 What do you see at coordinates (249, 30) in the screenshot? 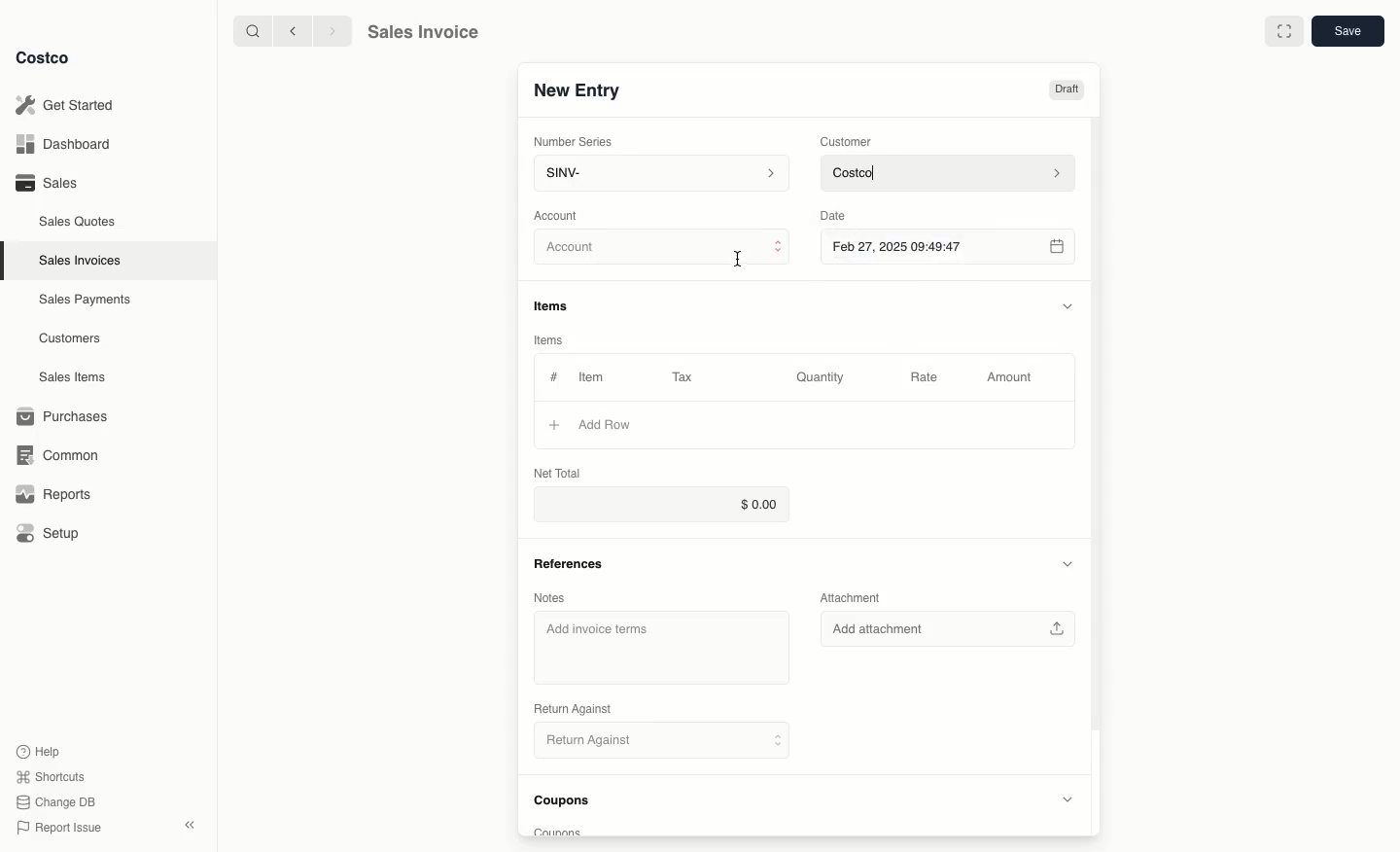
I see `search` at bounding box center [249, 30].